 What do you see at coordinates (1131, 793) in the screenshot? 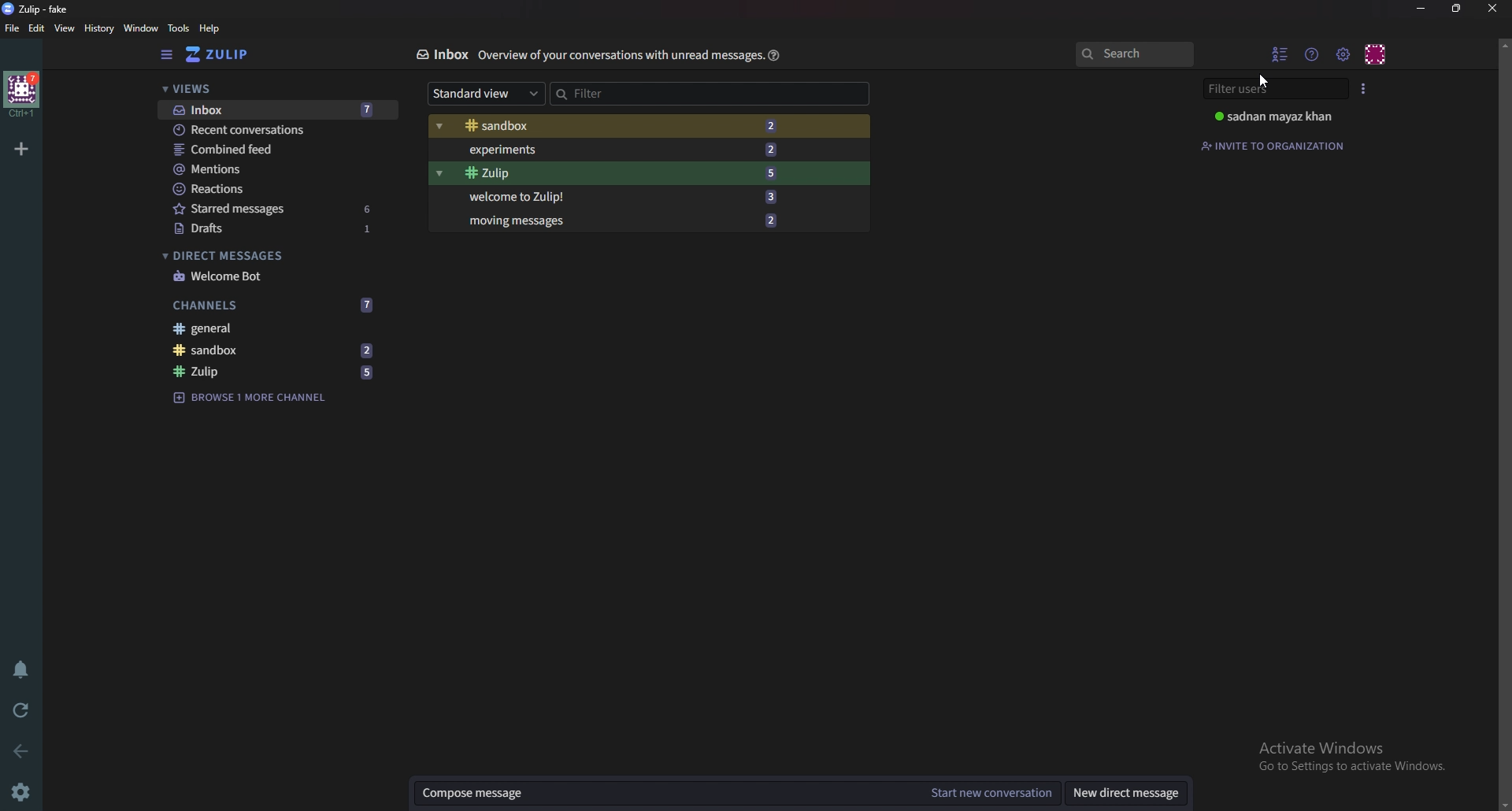
I see `New direct message` at bounding box center [1131, 793].